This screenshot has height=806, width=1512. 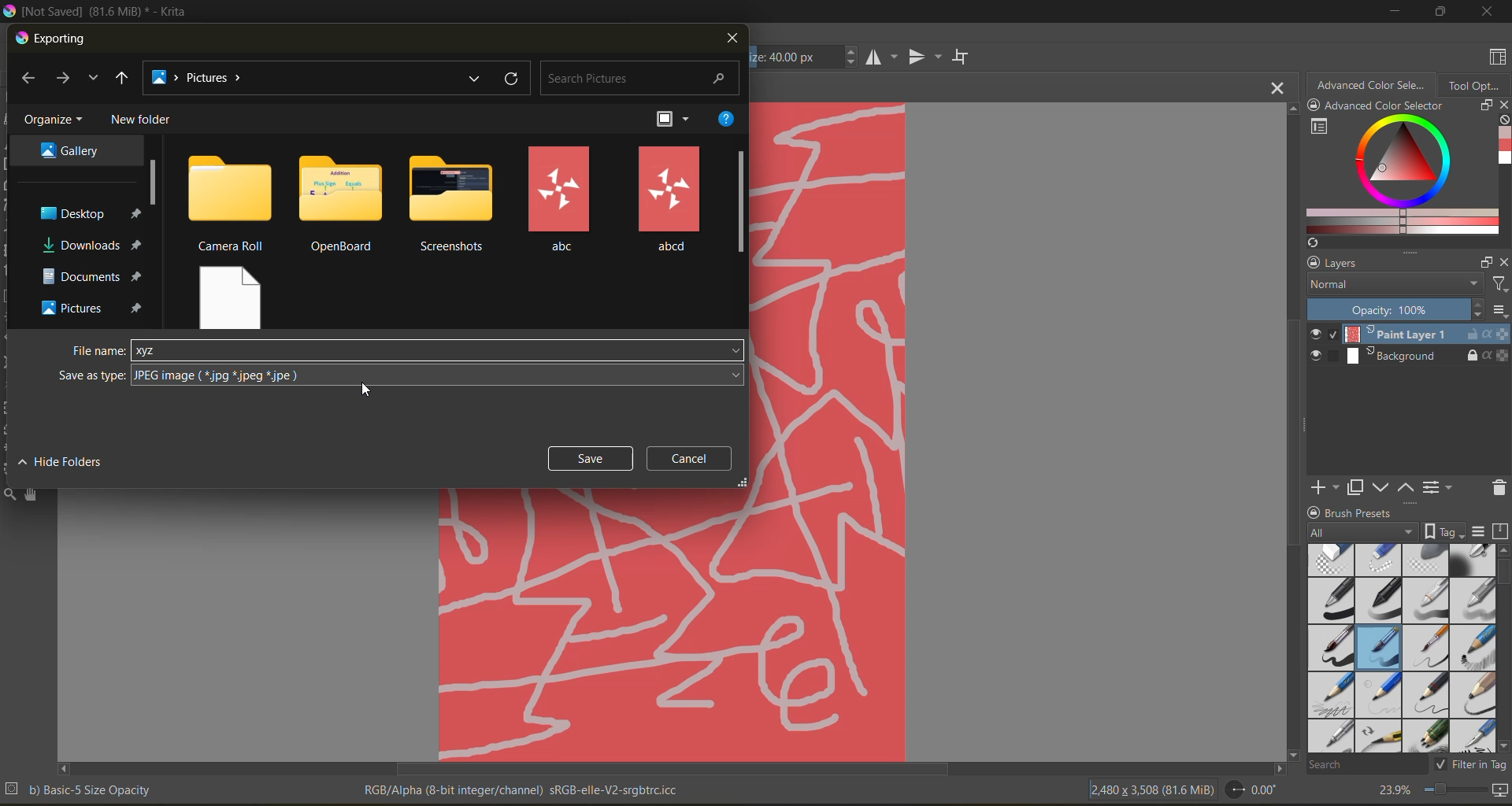 What do you see at coordinates (66, 79) in the screenshot?
I see `forward` at bounding box center [66, 79].